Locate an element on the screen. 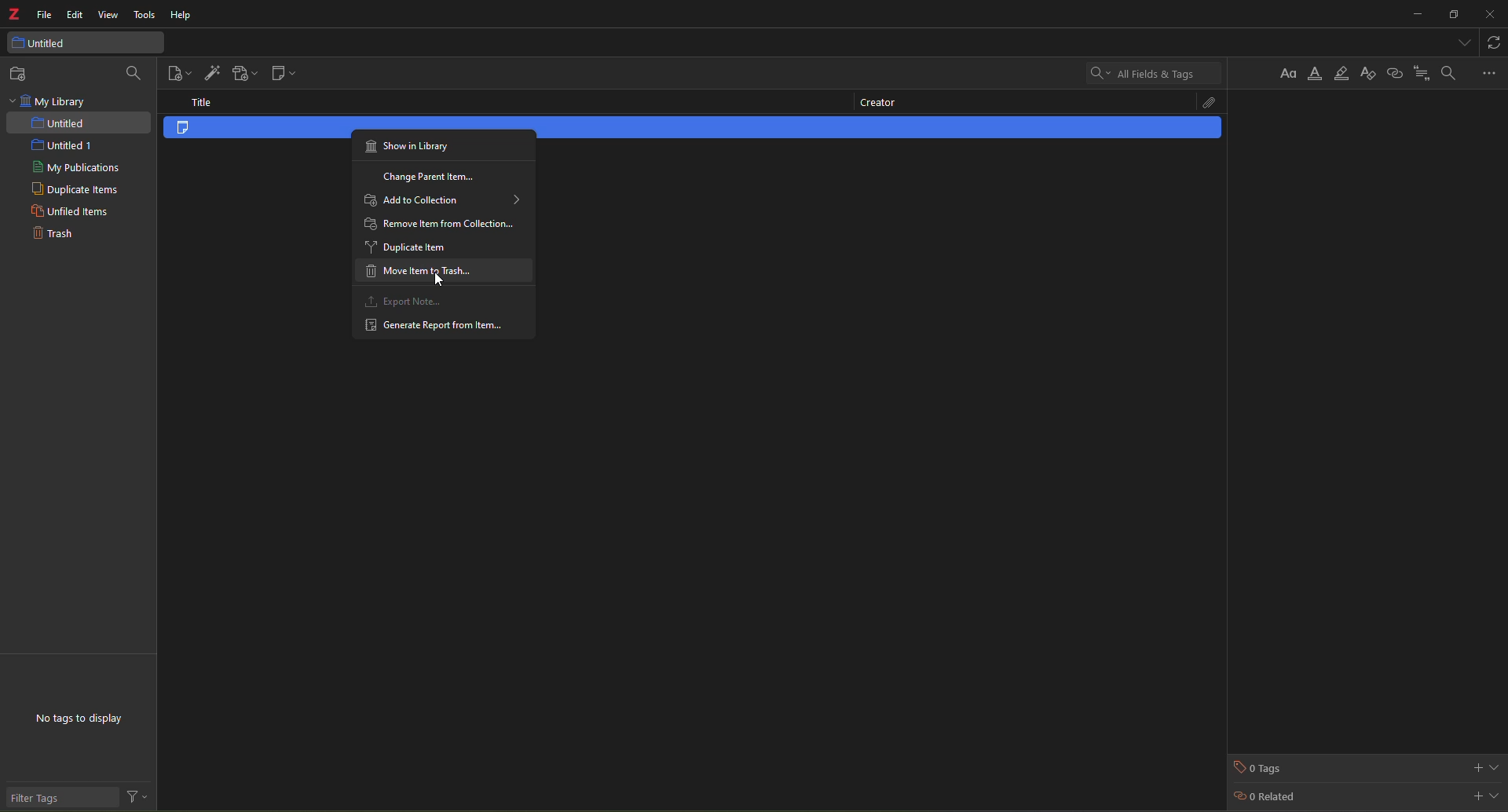 Image resolution: width=1508 pixels, height=812 pixels. minimize is located at coordinates (1414, 14).